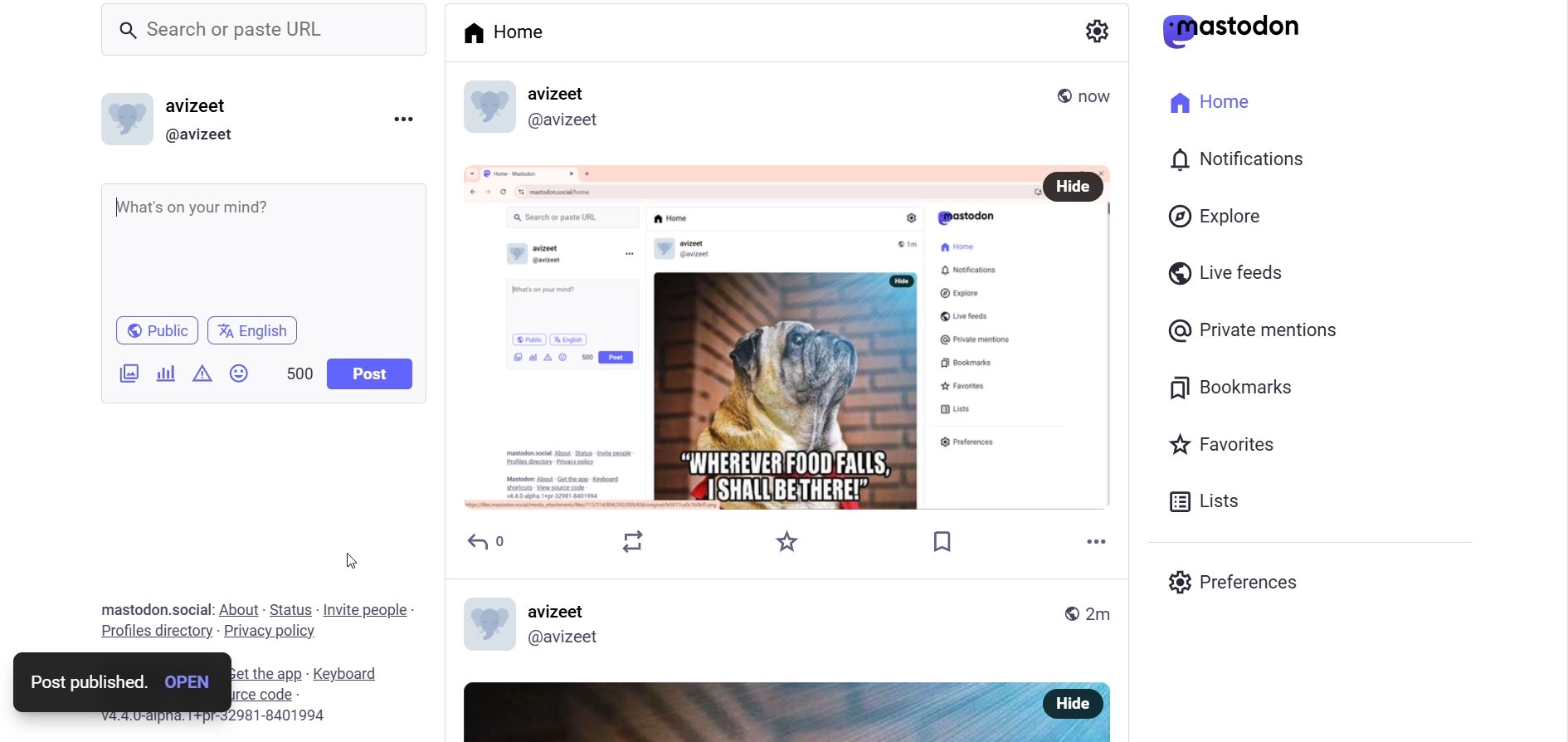 This screenshot has height=742, width=1568. What do you see at coordinates (635, 540) in the screenshot?
I see `Boost` at bounding box center [635, 540].